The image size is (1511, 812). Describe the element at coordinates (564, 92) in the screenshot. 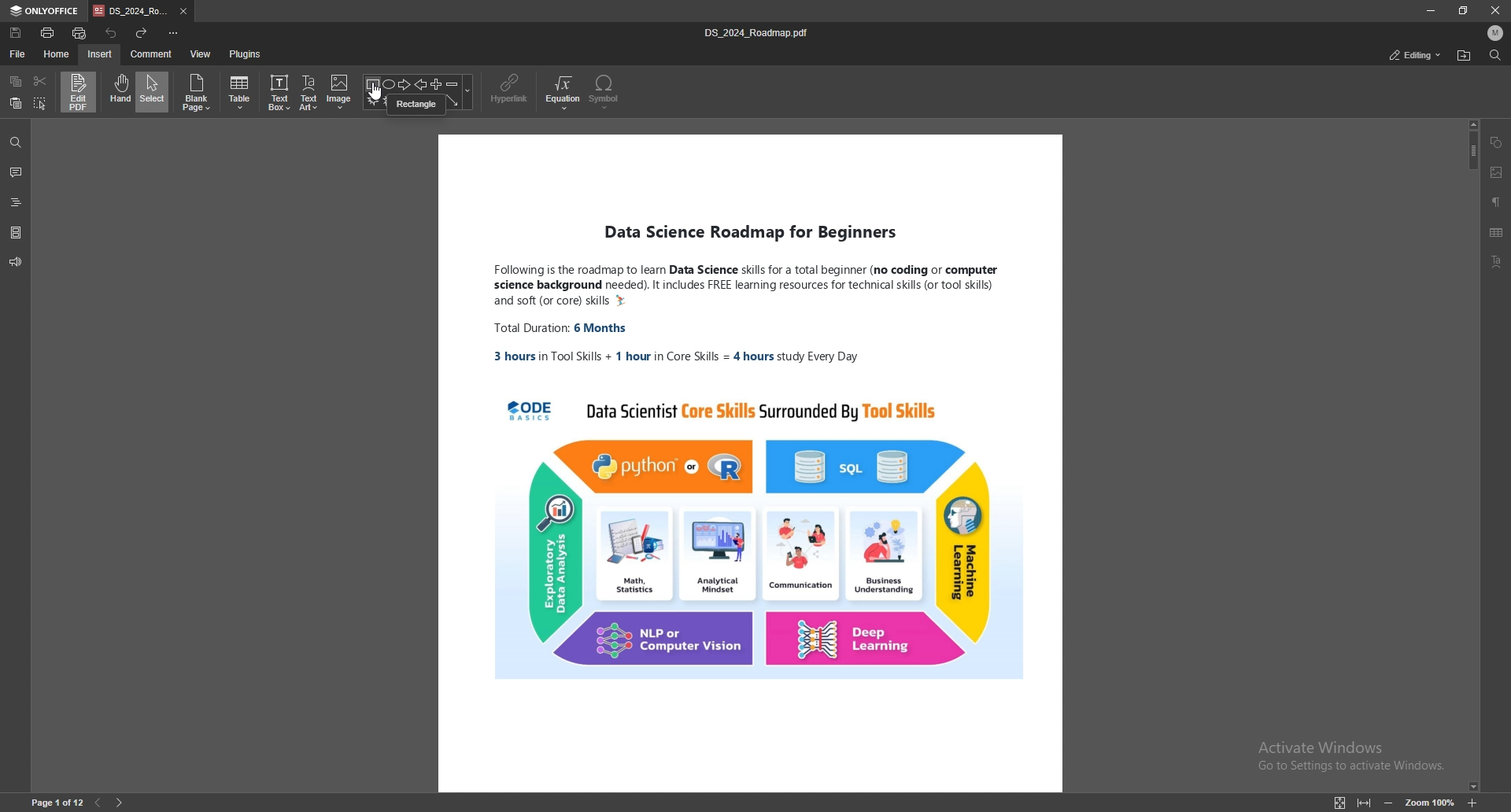

I see `equation` at that location.